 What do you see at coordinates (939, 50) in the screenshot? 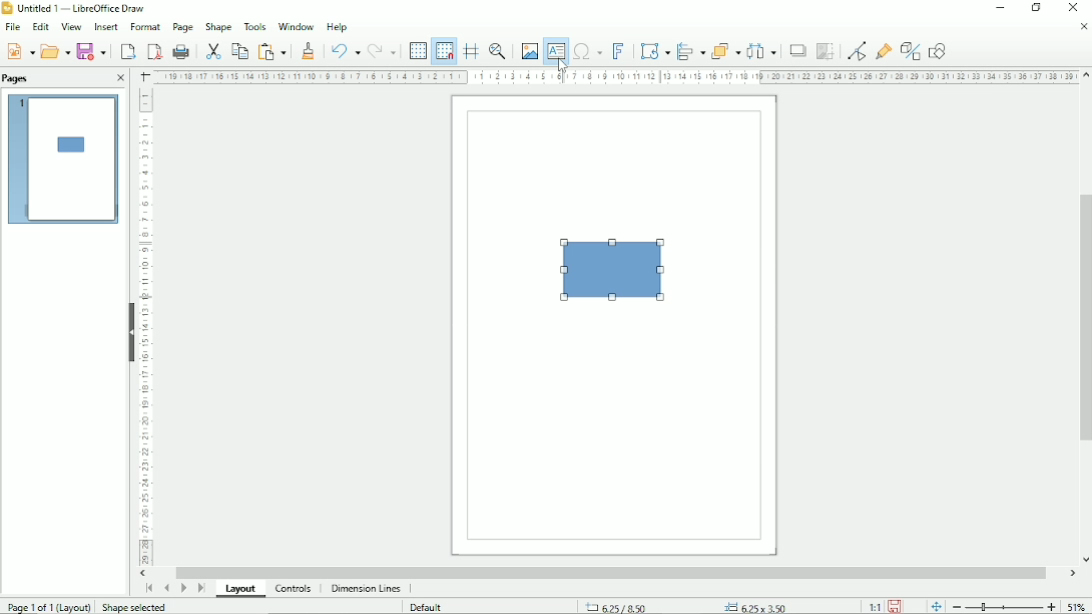
I see `Show draw functions` at bounding box center [939, 50].